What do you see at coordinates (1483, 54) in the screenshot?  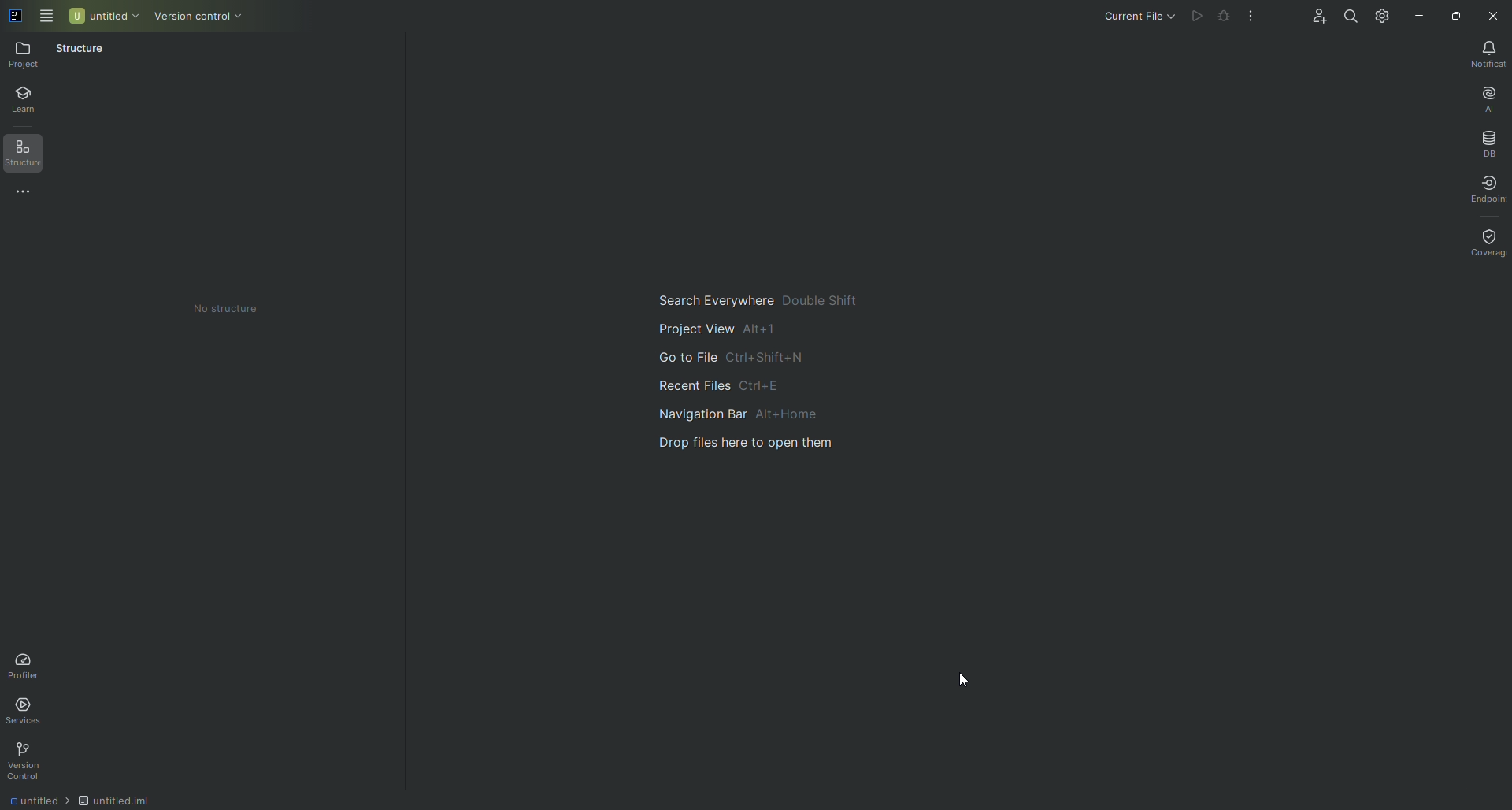 I see `Notifications` at bounding box center [1483, 54].